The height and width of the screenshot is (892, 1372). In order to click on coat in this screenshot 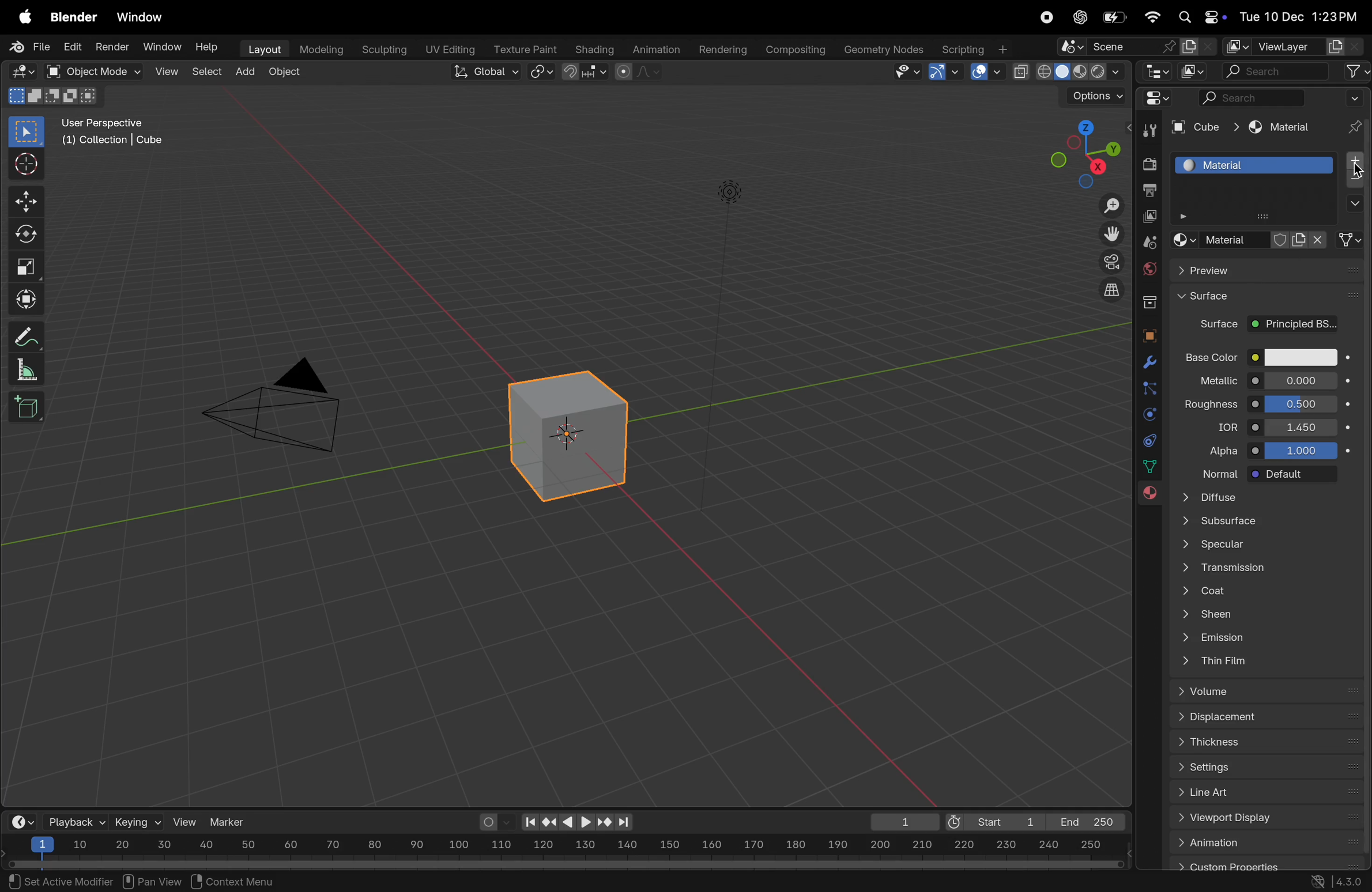, I will do `click(1244, 591)`.